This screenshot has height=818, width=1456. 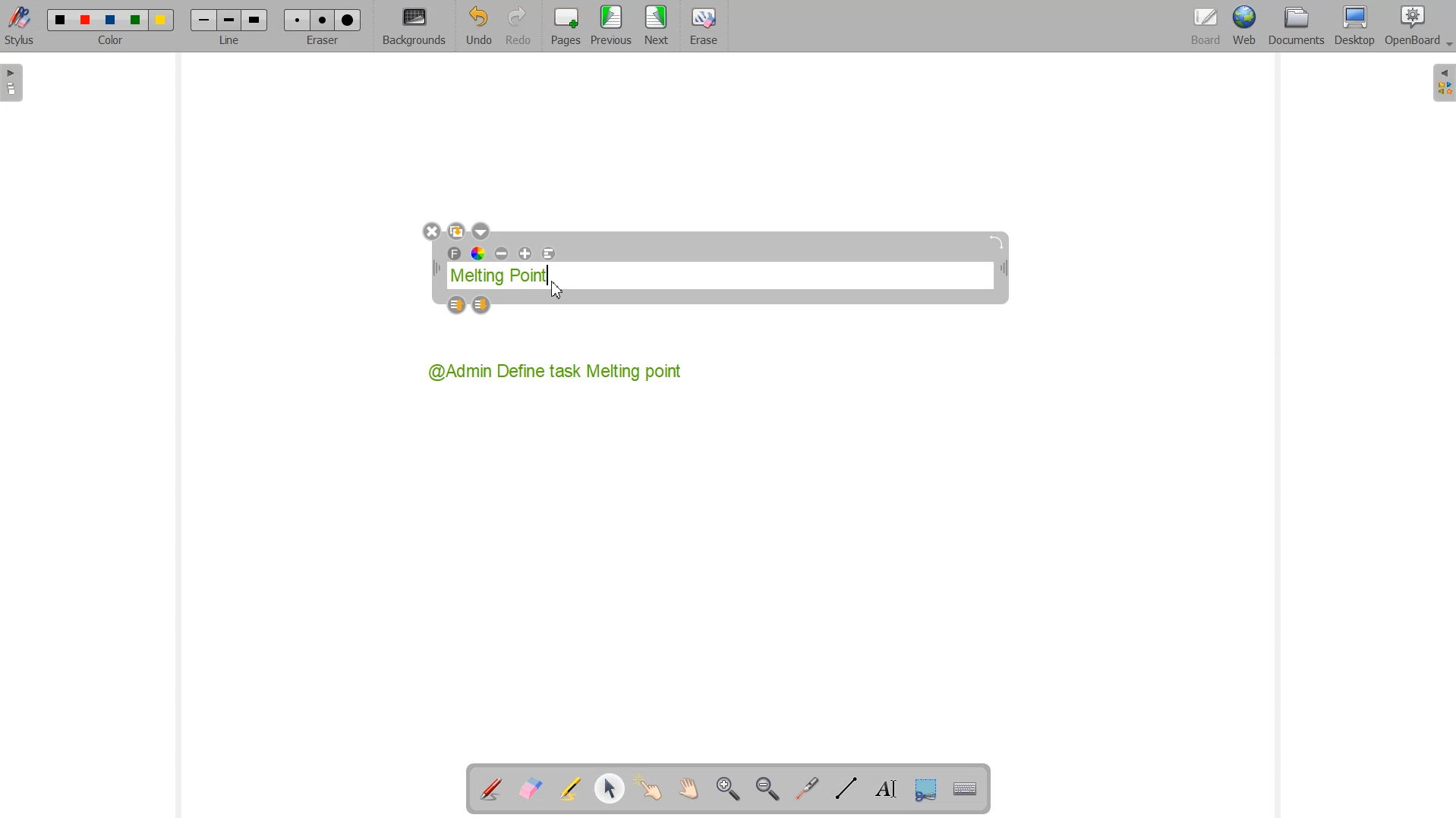 I want to click on Line, so click(x=228, y=27).